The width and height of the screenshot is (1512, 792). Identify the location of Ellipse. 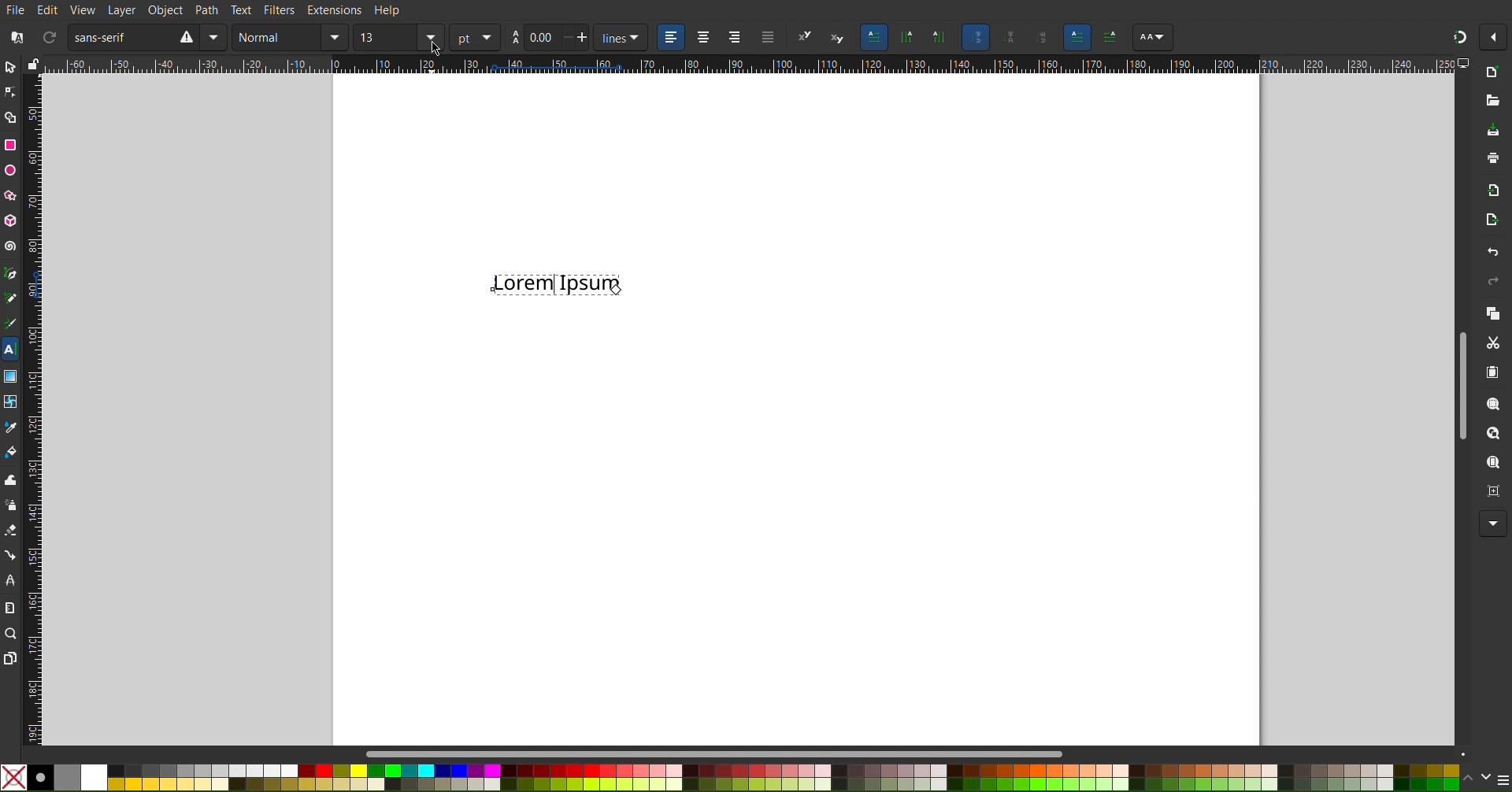
(11, 171).